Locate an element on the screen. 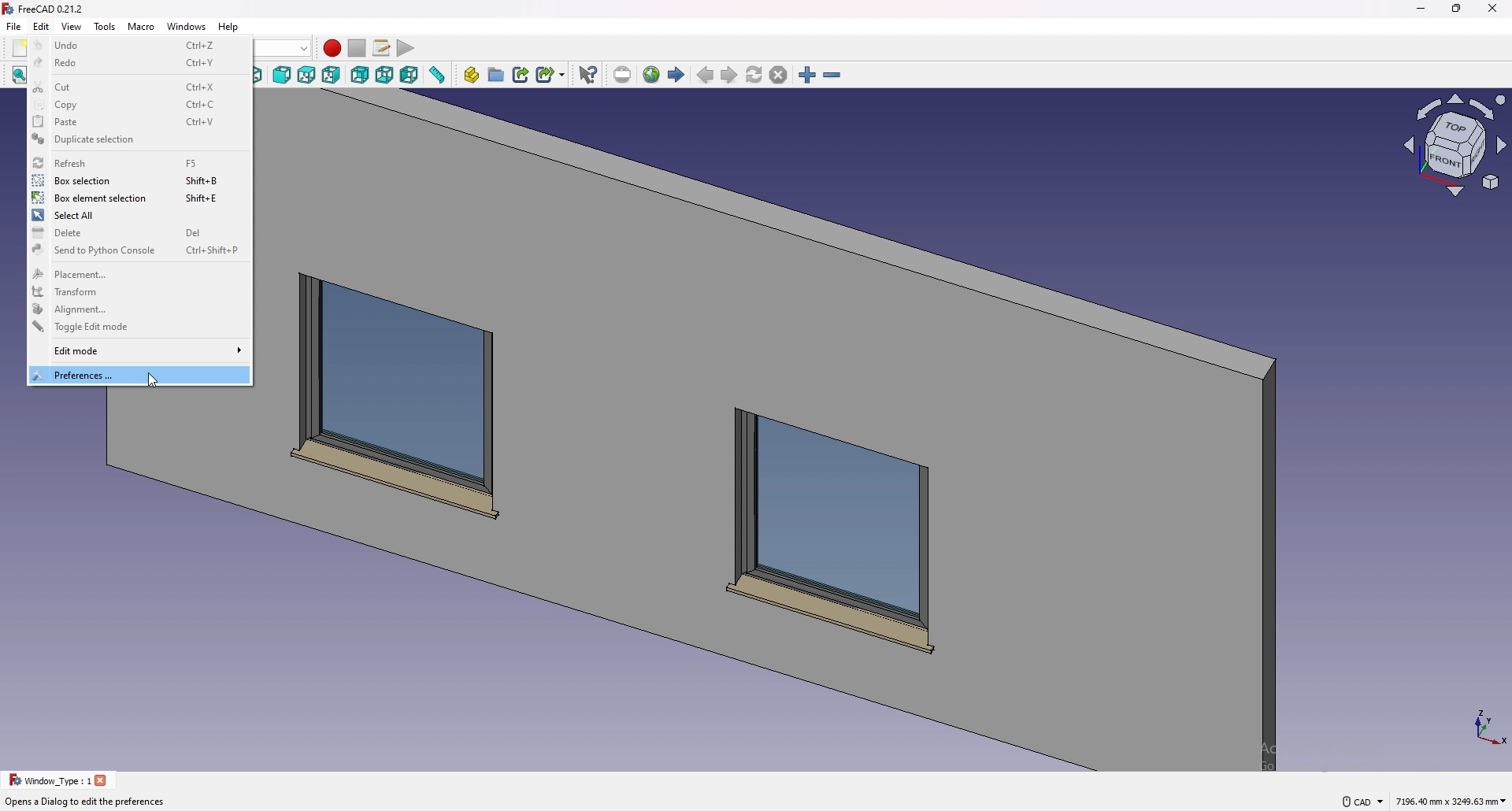 This screenshot has width=1512, height=811. 7196.40 mm x 3249.63 mm is located at coordinates (1451, 800).